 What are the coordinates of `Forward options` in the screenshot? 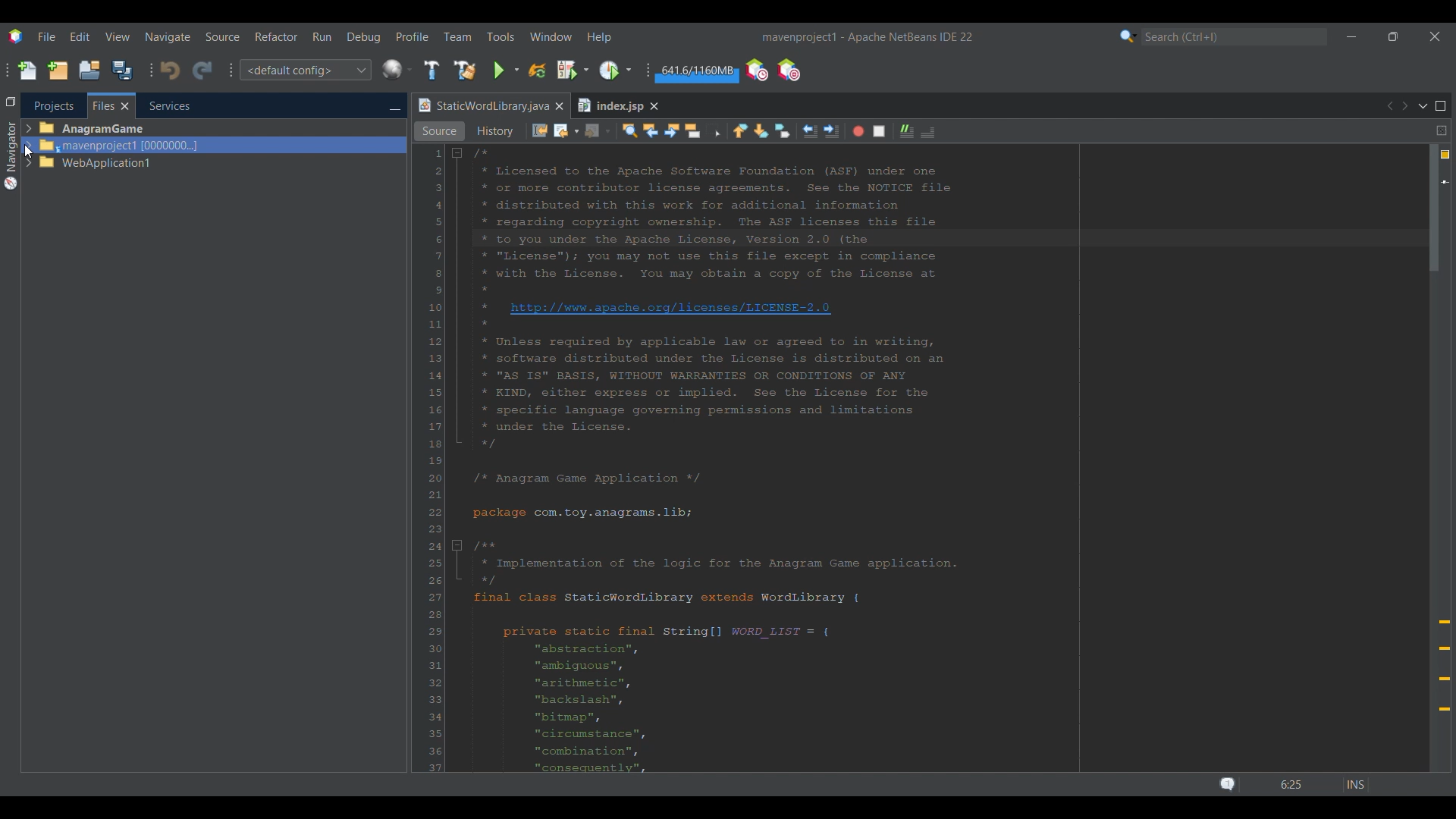 It's located at (597, 132).